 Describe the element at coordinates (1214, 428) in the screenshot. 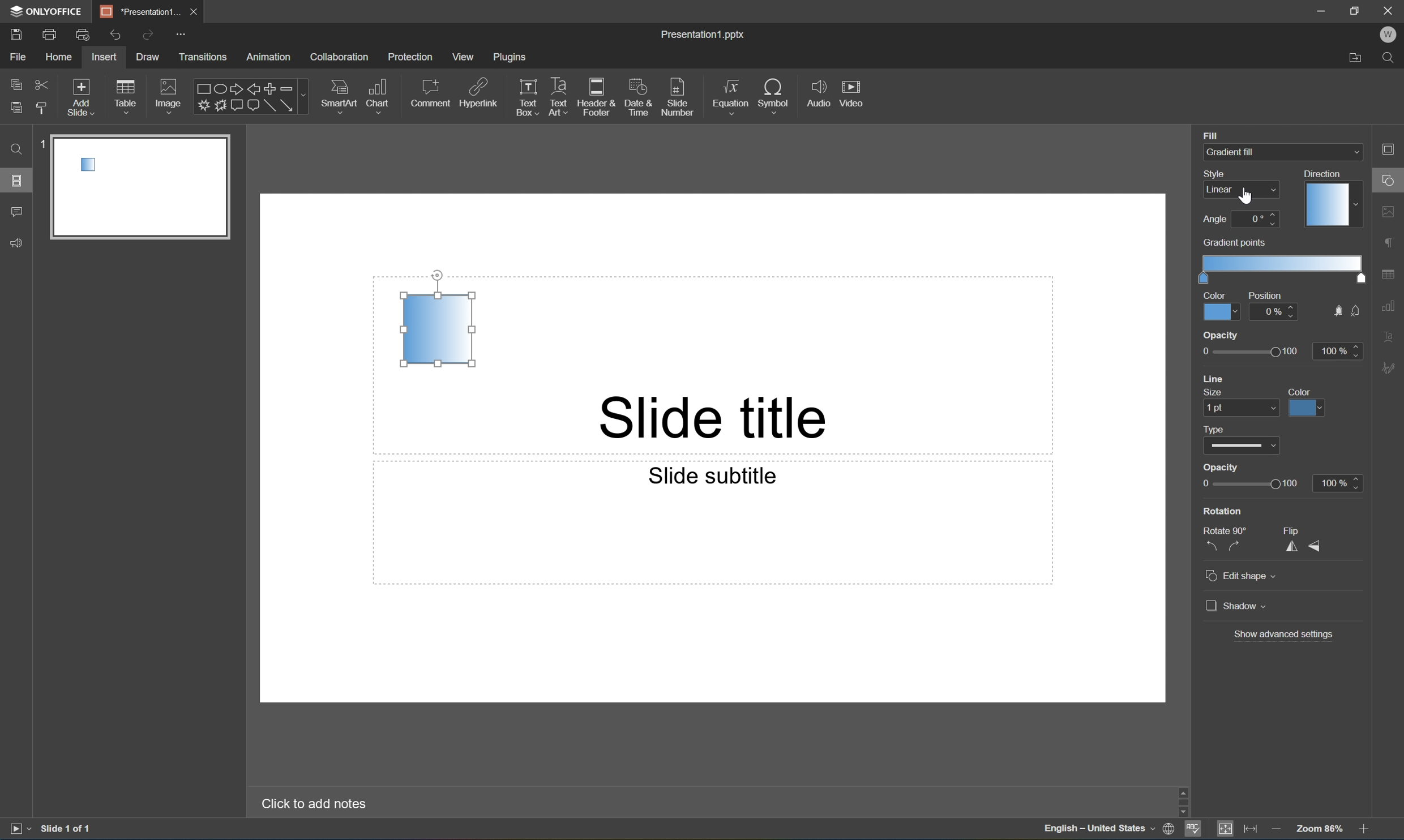

I see `Type` at that location.